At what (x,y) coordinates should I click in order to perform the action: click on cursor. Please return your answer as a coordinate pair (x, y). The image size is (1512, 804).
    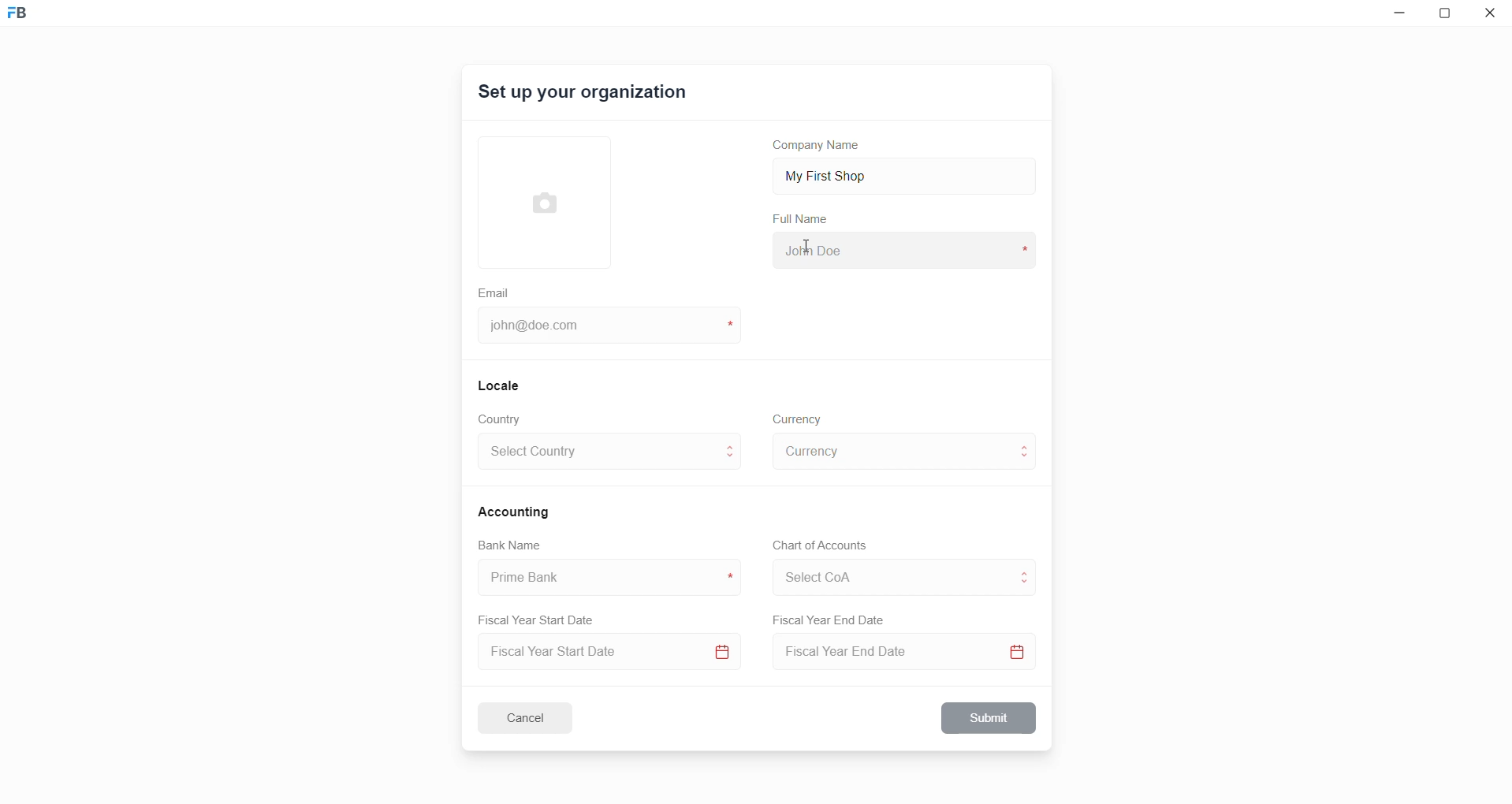
    Looking at the image, I should click on (809, 248).